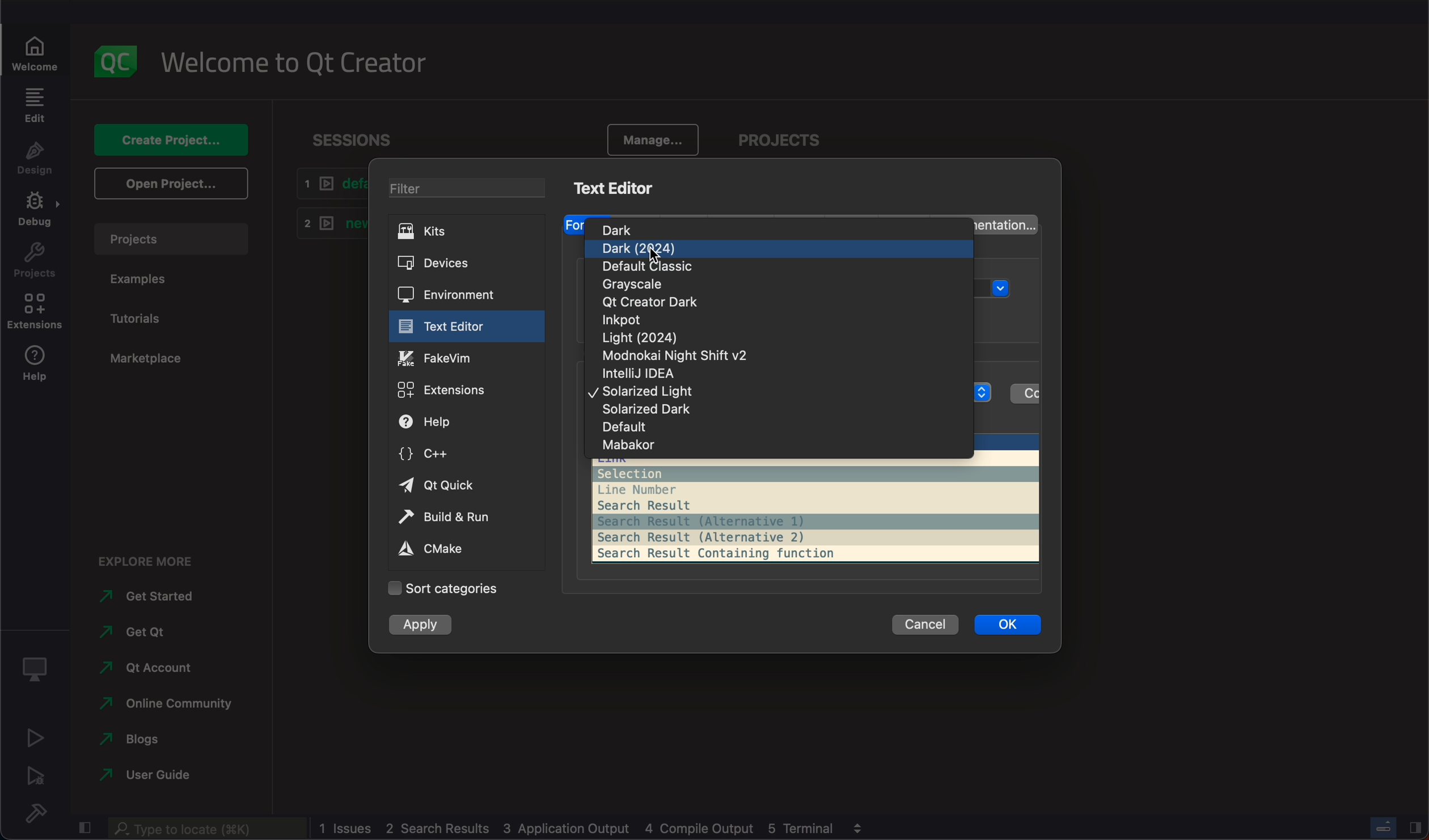 This screenshot has width=1429, height=840. Describe the element at coordinates (982, 392) in the screenshot. I see `menu` at that location.